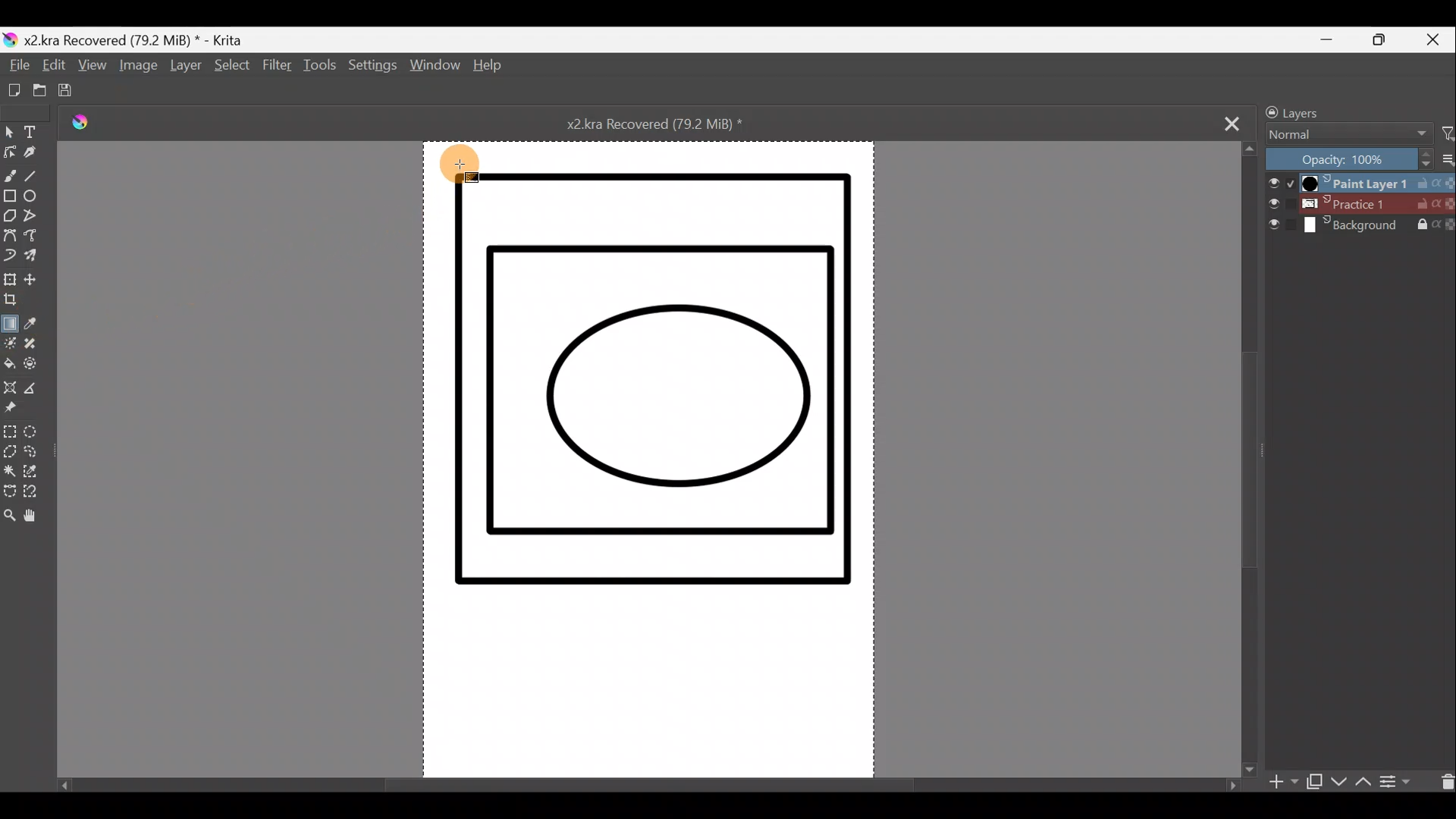 This screenshot has width=1456, height=819. What do you see at coordinates (1232, 122) in the screenshot?
I see `Close tab` at bounding box center [1232, 122].